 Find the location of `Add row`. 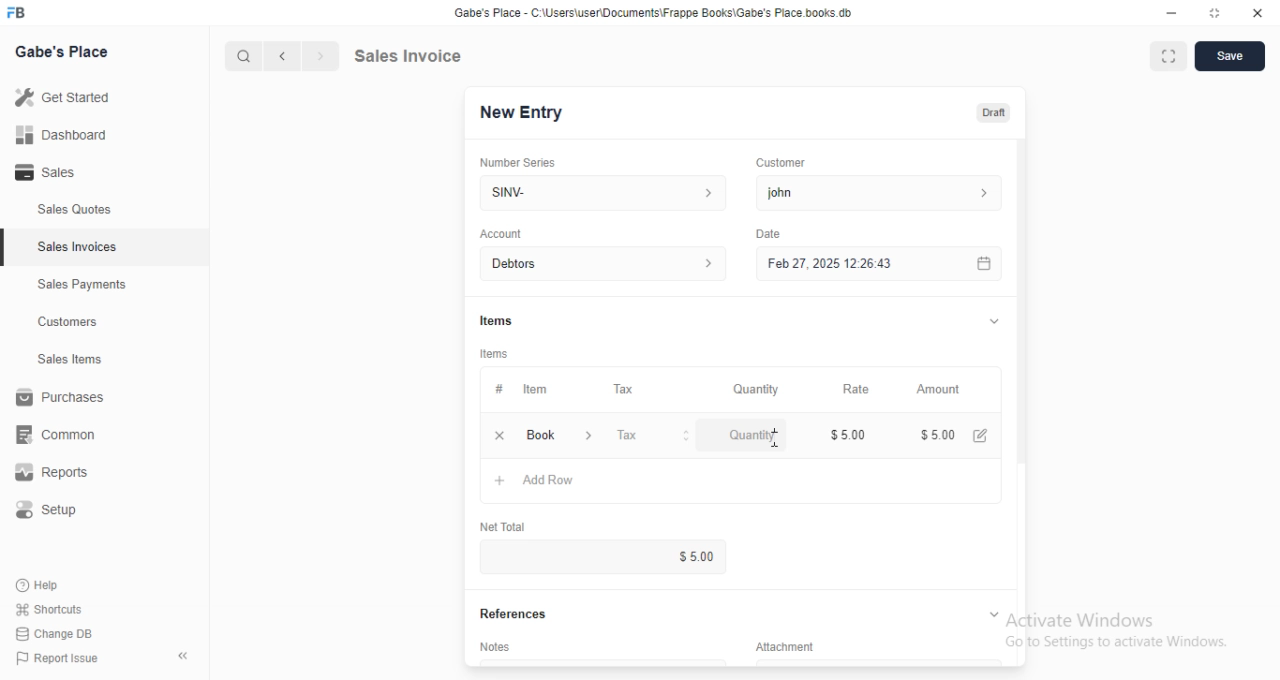

Add row is located at coordinates (533, 480).